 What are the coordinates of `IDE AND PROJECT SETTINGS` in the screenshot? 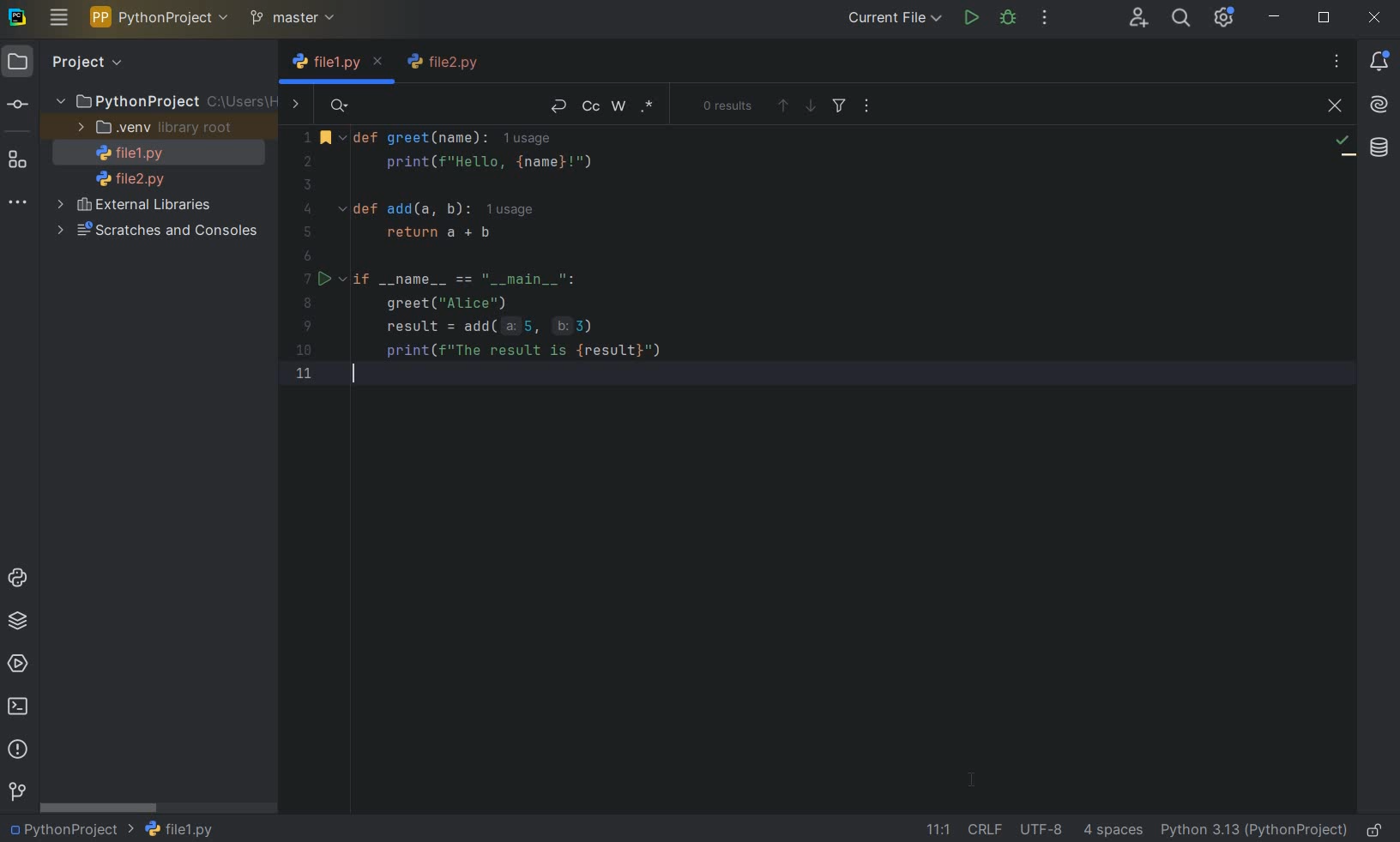 It's located at (1226, 19).